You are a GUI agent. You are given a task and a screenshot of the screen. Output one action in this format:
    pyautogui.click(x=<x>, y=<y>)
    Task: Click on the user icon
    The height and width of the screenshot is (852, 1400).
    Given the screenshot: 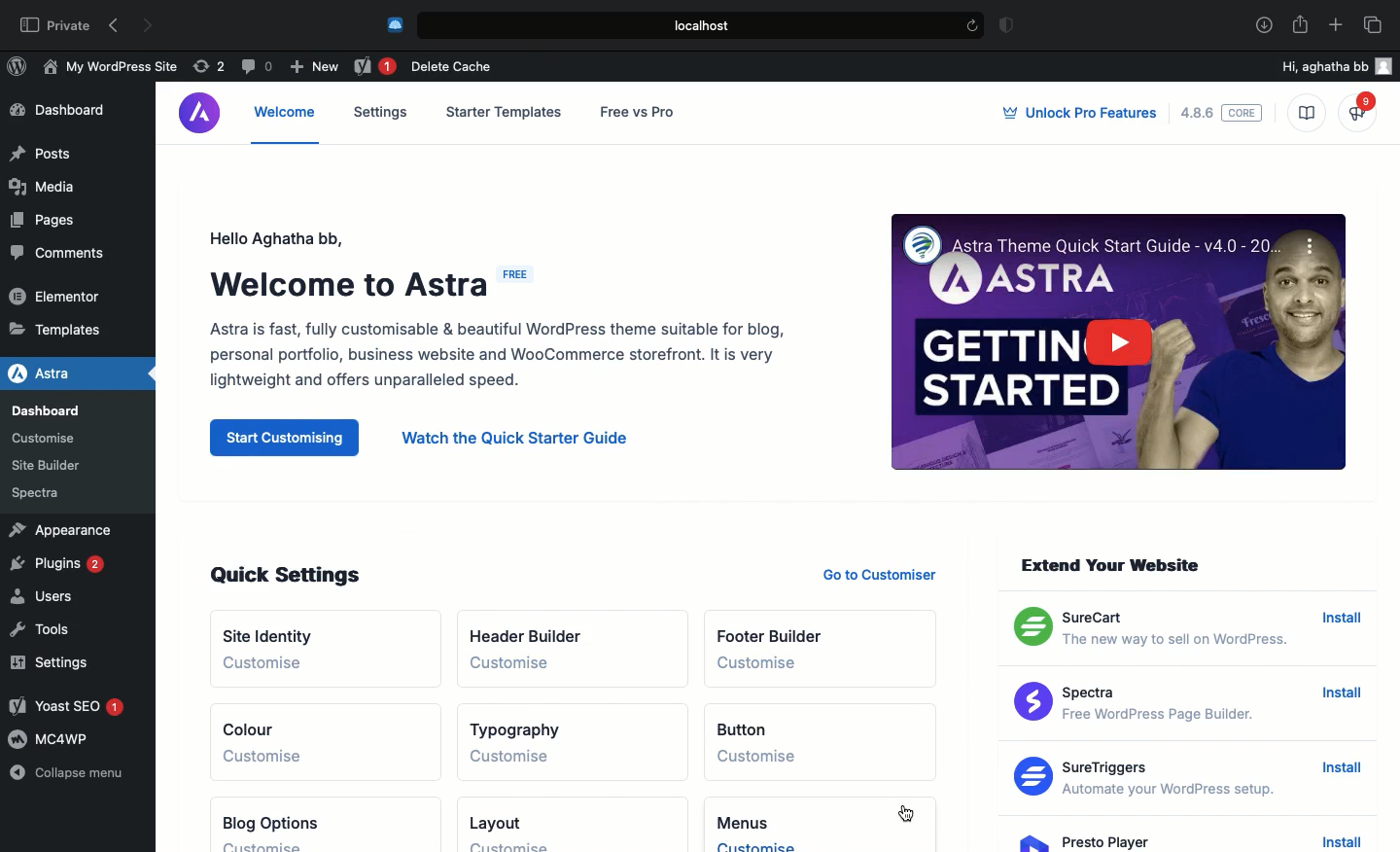 What is the action you would take?
    pyautogui.click(x=1384, y=62)
    